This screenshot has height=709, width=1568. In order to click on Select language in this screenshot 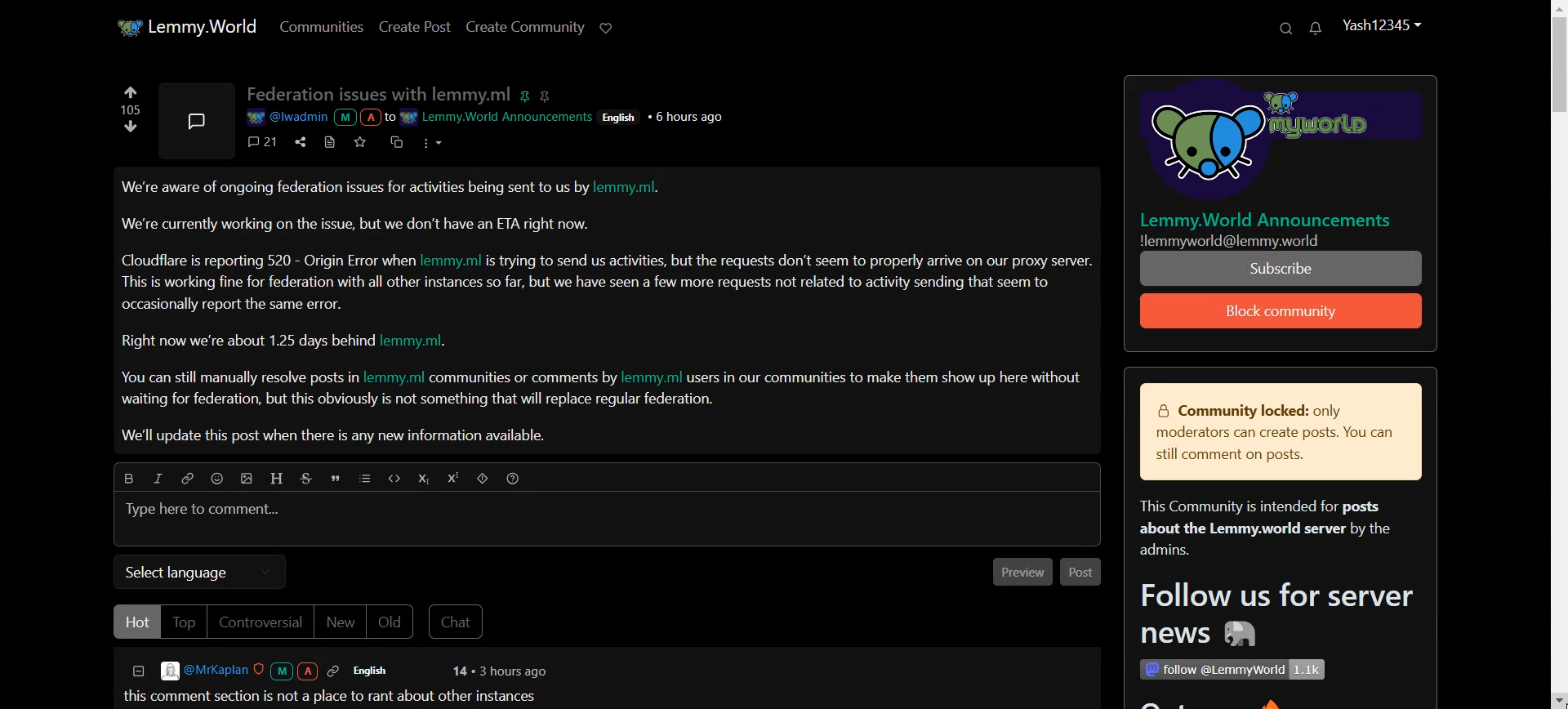, I will do `click(199, 572)`.